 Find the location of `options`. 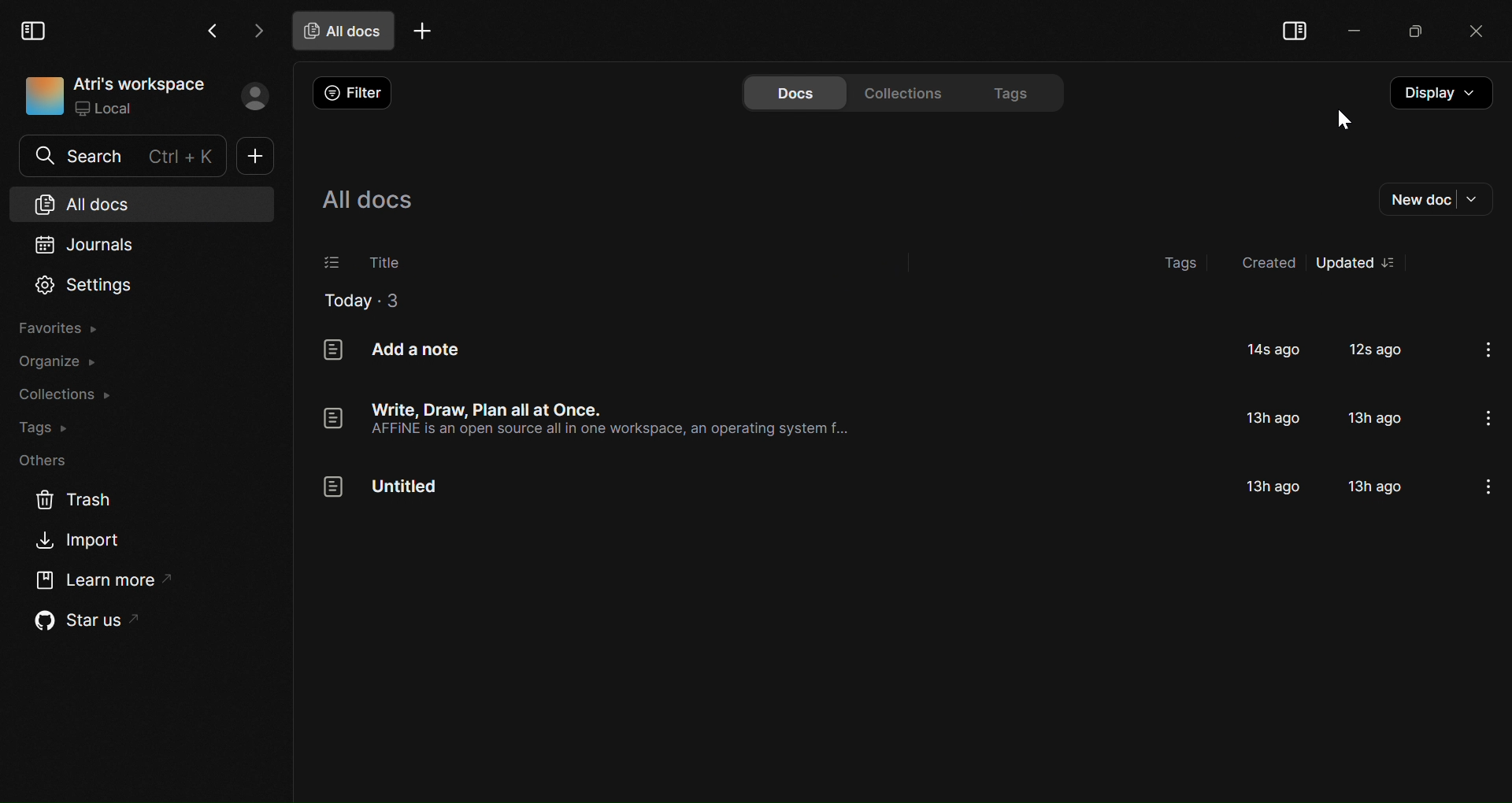

options is located at coordinates (1492, 352).